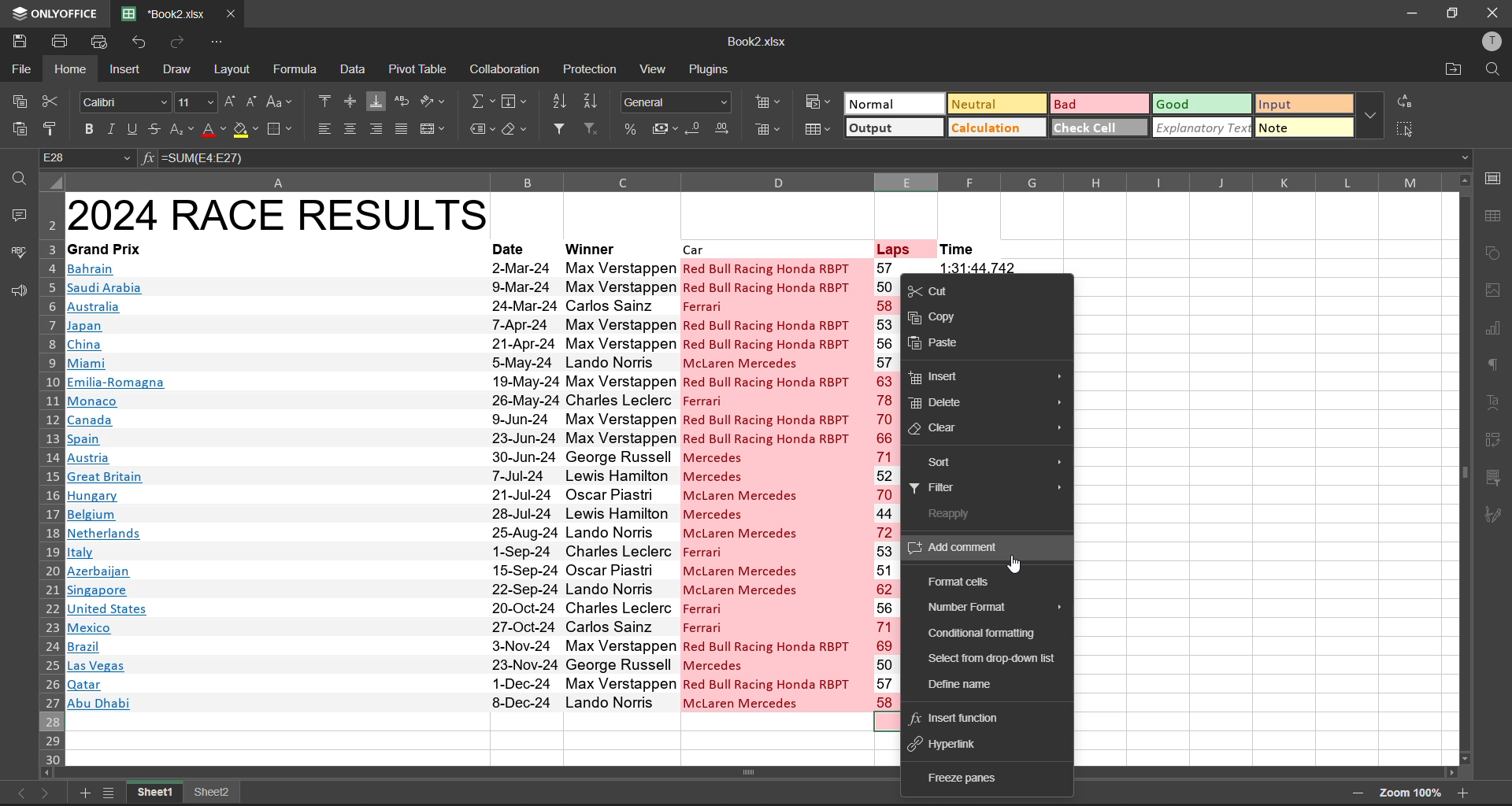 The width and height of the screenshot is (1512, 806). Describe the element at coordinates (1467, 468) in the screenshot. I see `scroll bar` at that location.